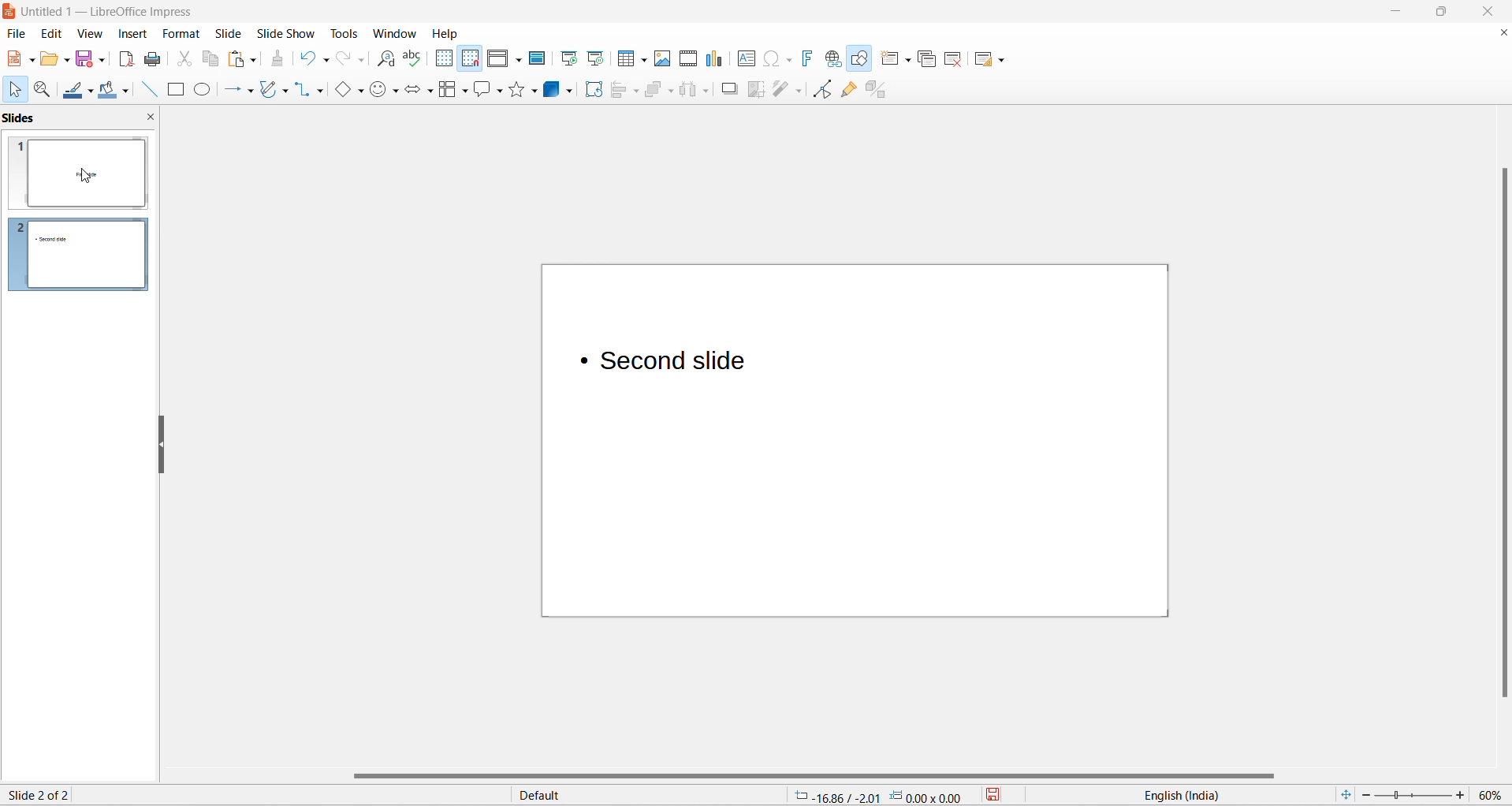 The image size is (1512, 806). What do you see at coordinates (1397, 12) in the screenshot?
I see `minimize` at bounding box center [1397, 12].